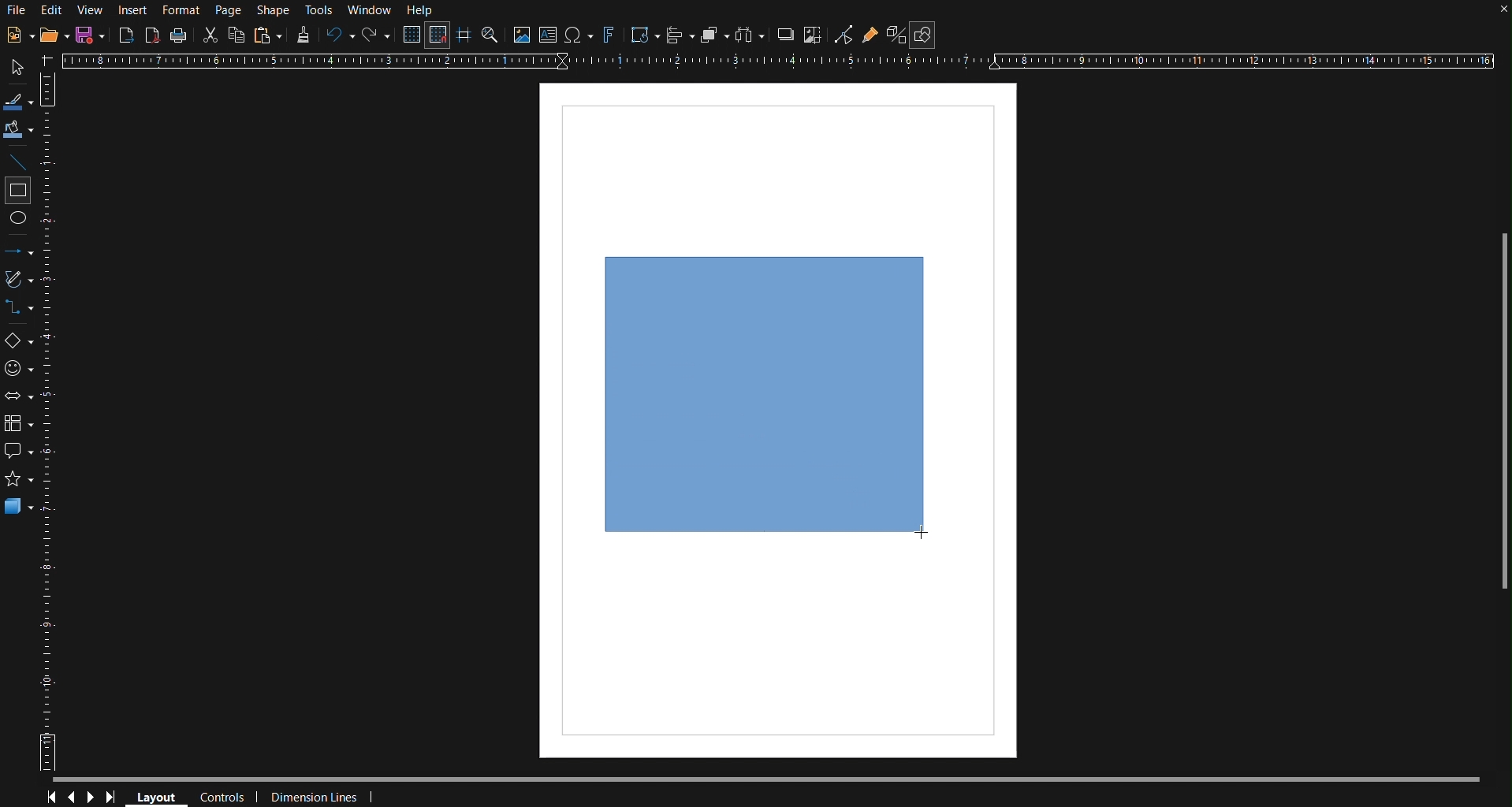 The height and width of the screenshot is (807, 1512). What do you see at coordinates (1501, 13) in the screenshot?
I see `close` at bounding box center [1501, 13].